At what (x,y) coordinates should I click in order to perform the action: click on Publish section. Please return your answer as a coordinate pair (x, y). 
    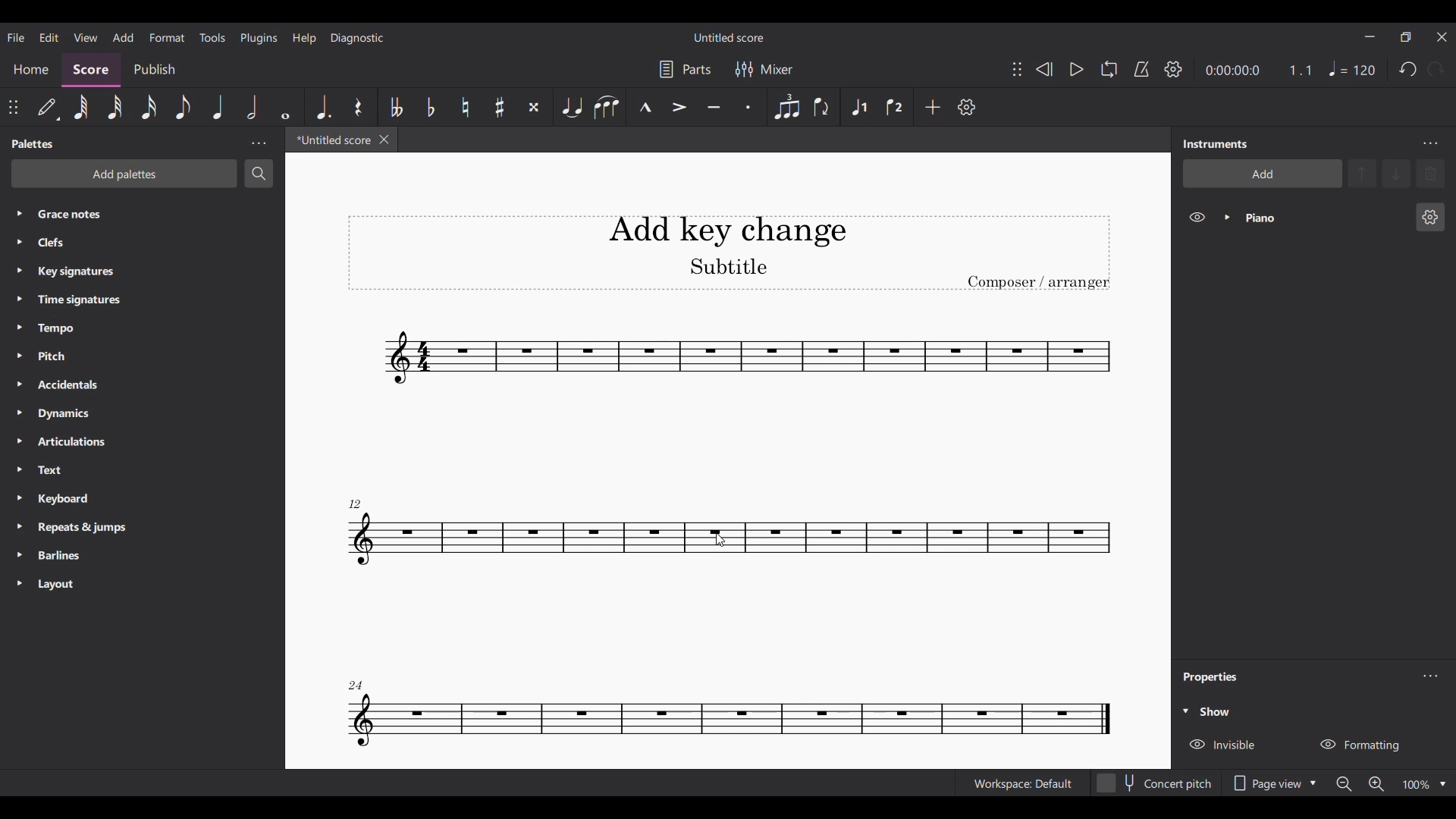
    Looking at the image, I should click on (155, 70).